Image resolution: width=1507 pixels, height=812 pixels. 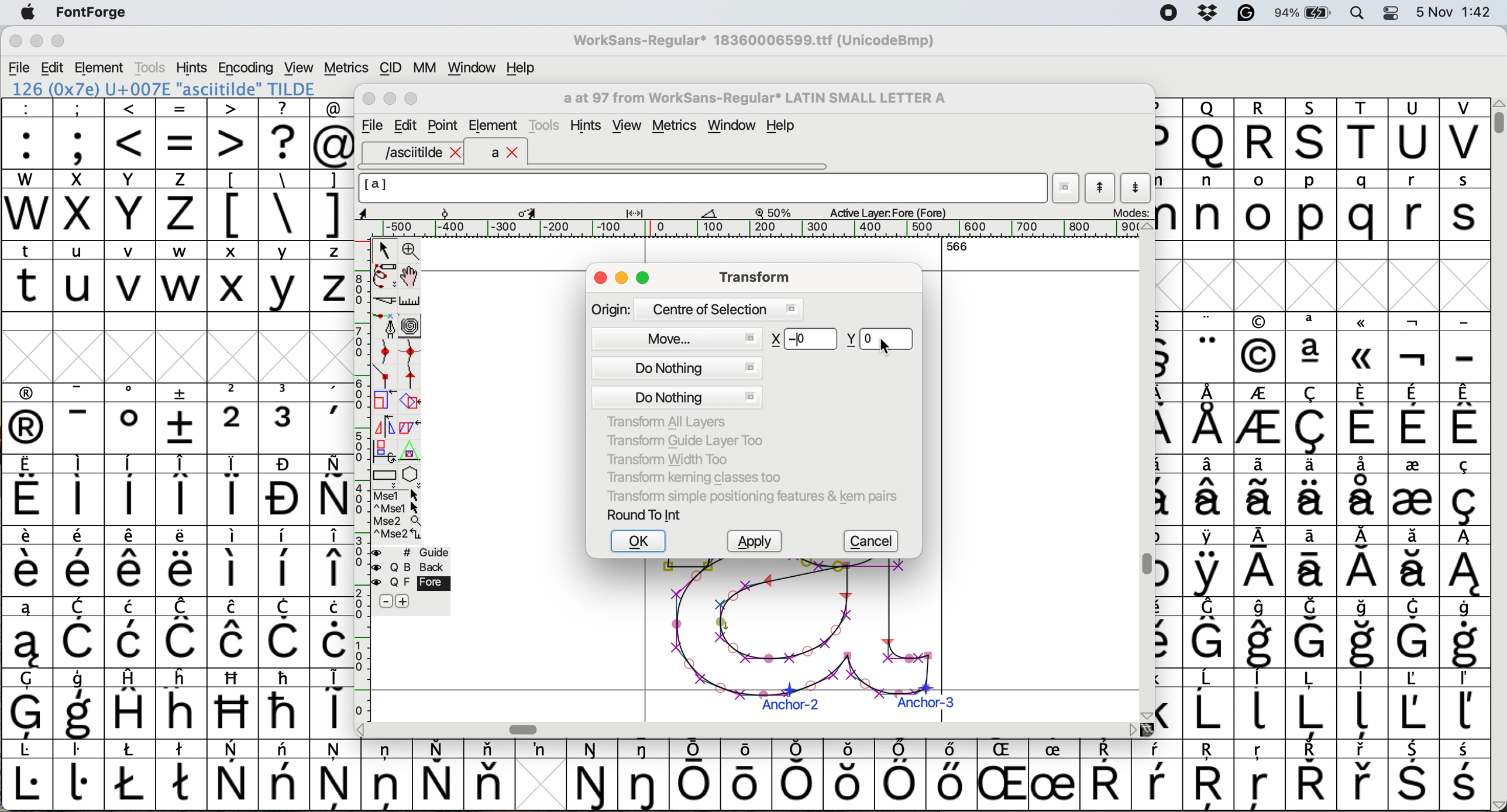 I want to click on w, so click(x=181, y=277).